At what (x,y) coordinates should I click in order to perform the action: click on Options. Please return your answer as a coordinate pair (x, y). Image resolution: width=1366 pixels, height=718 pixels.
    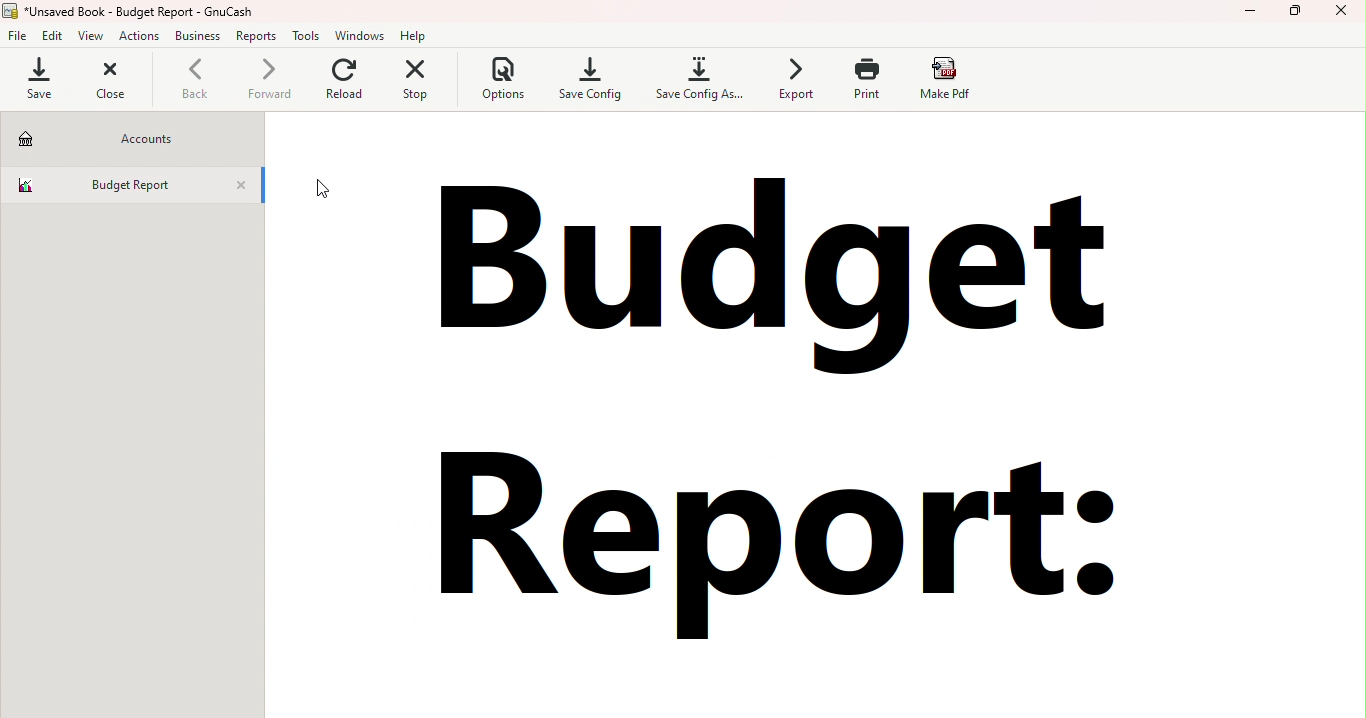
    Looking at the image, I should click on (499, 81).